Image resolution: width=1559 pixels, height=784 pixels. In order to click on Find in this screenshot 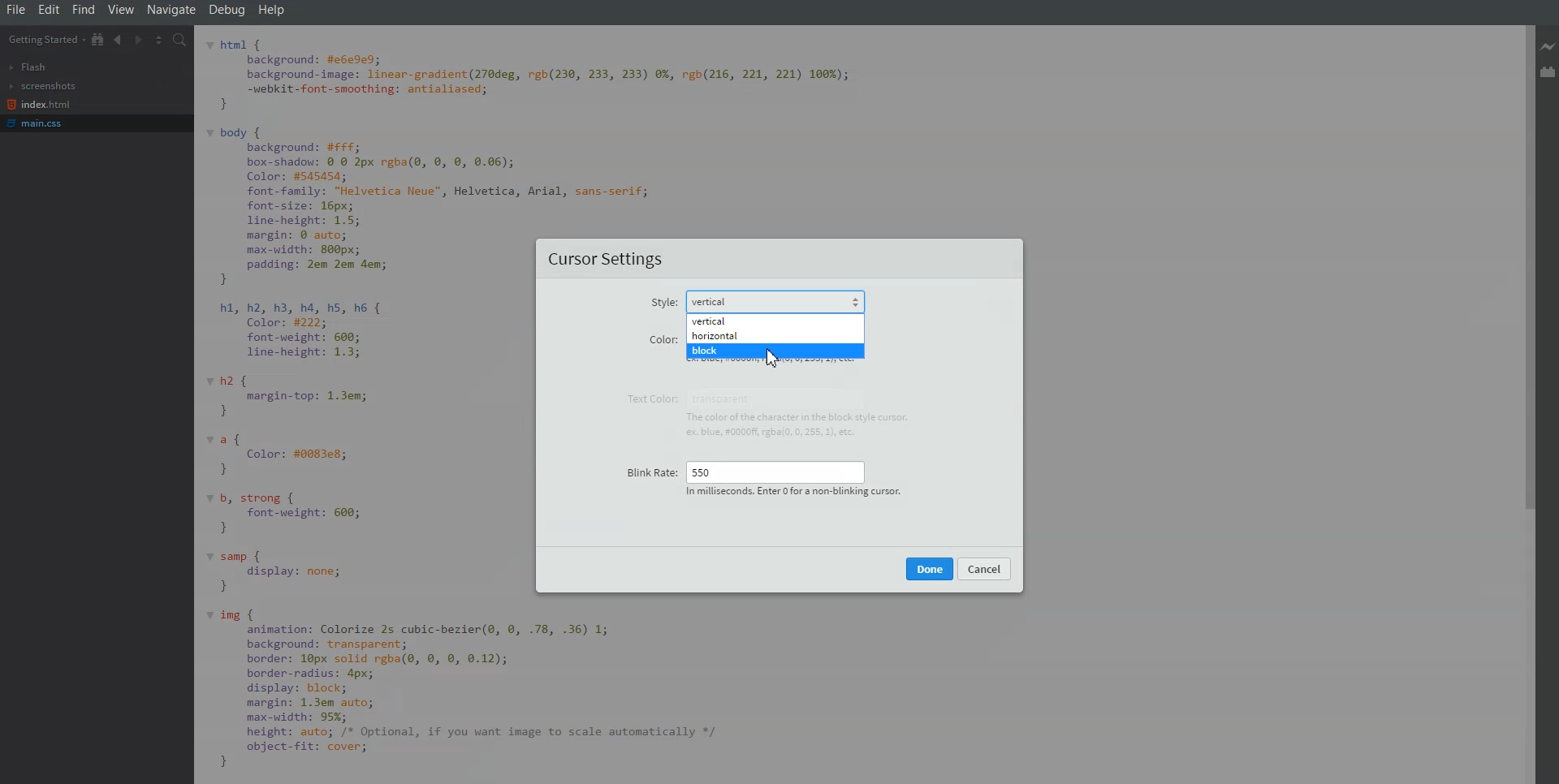, I will do `click(84, 10)`.